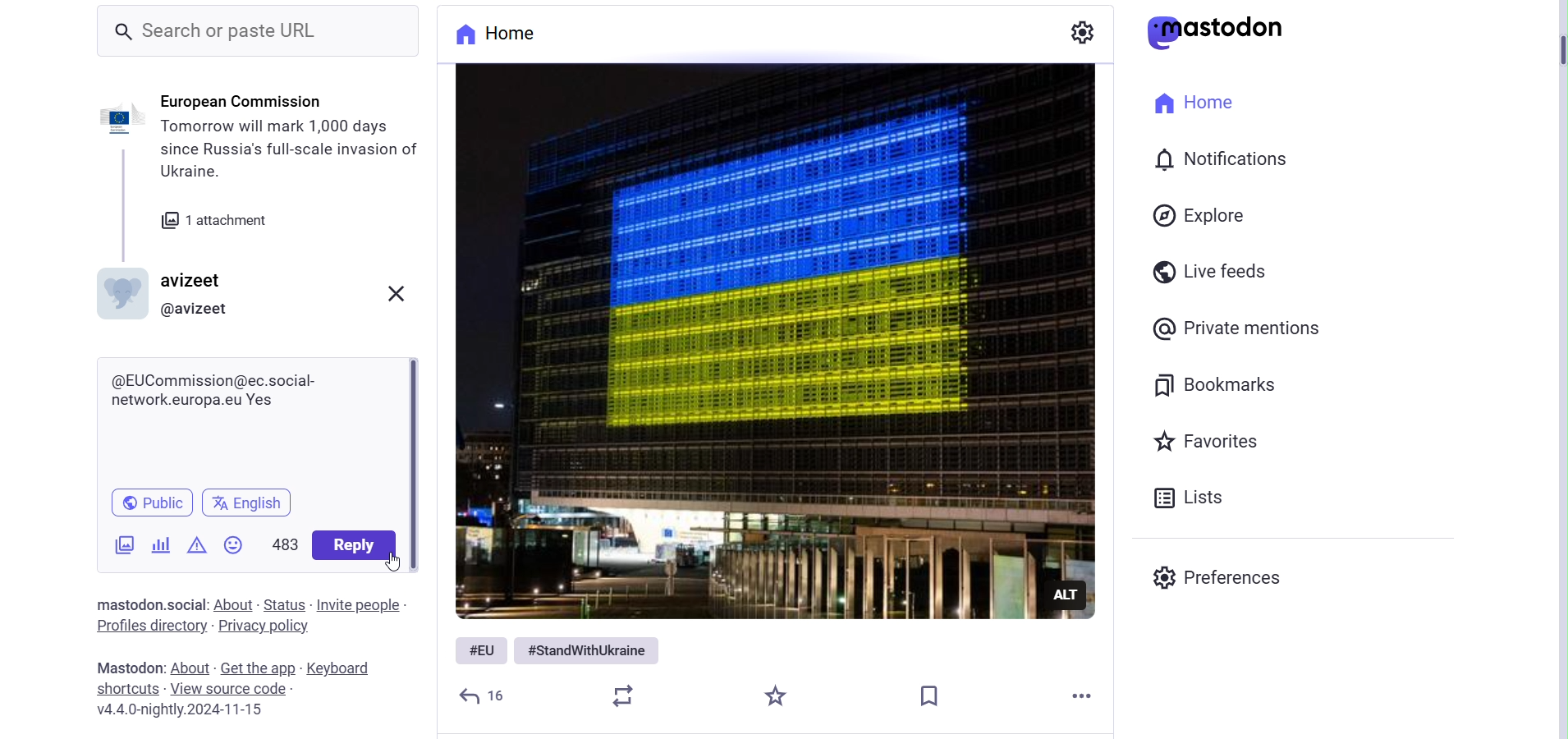  I want to click on Reply, so click(355, 547).